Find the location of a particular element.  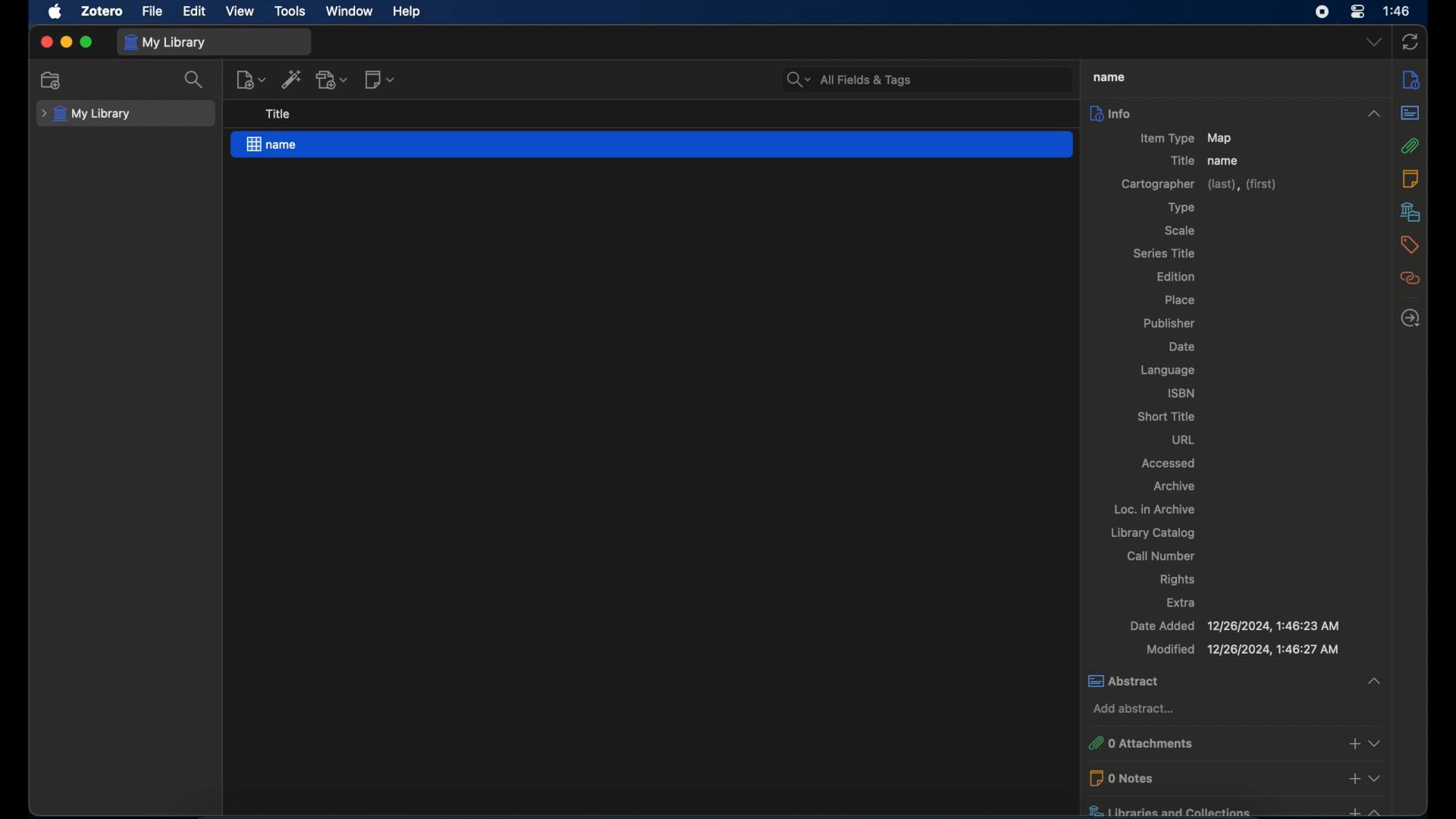

add item by identifier is located at coordinates (292, 79).